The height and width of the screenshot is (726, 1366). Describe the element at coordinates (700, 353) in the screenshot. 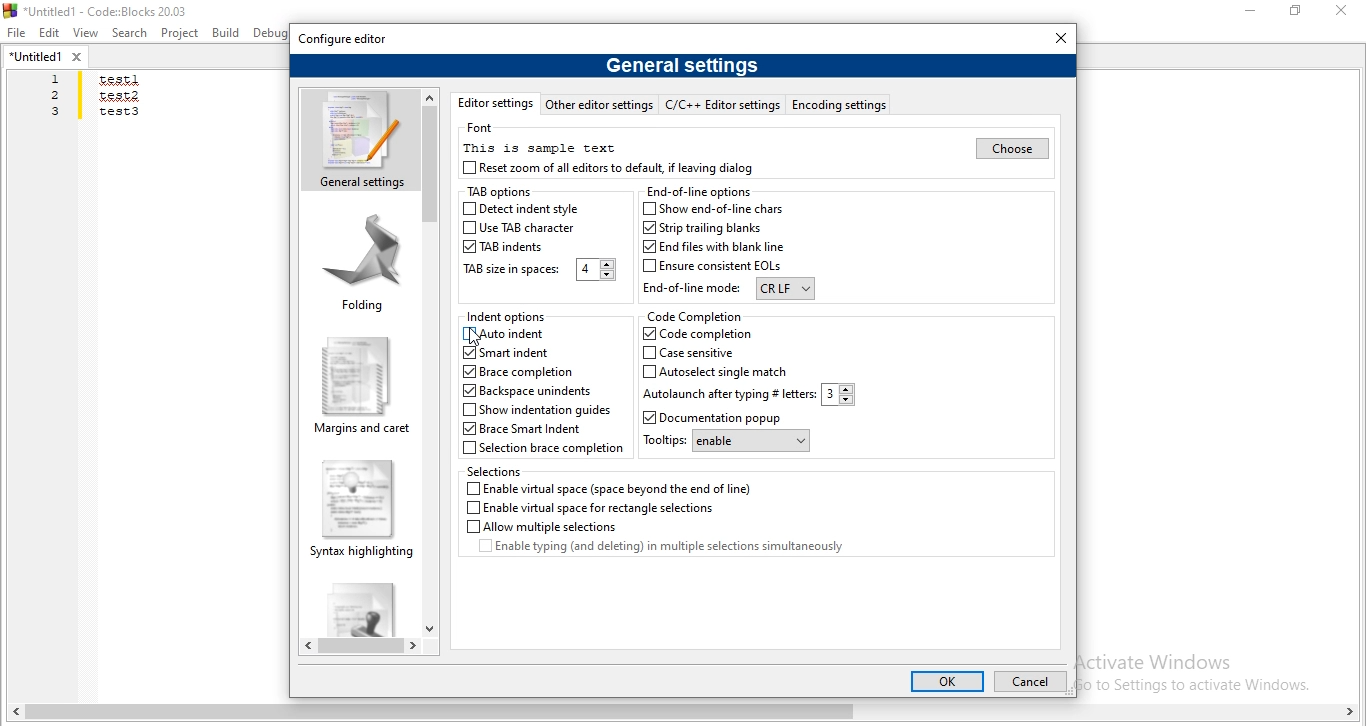

I see `Case sensitive` at that location.